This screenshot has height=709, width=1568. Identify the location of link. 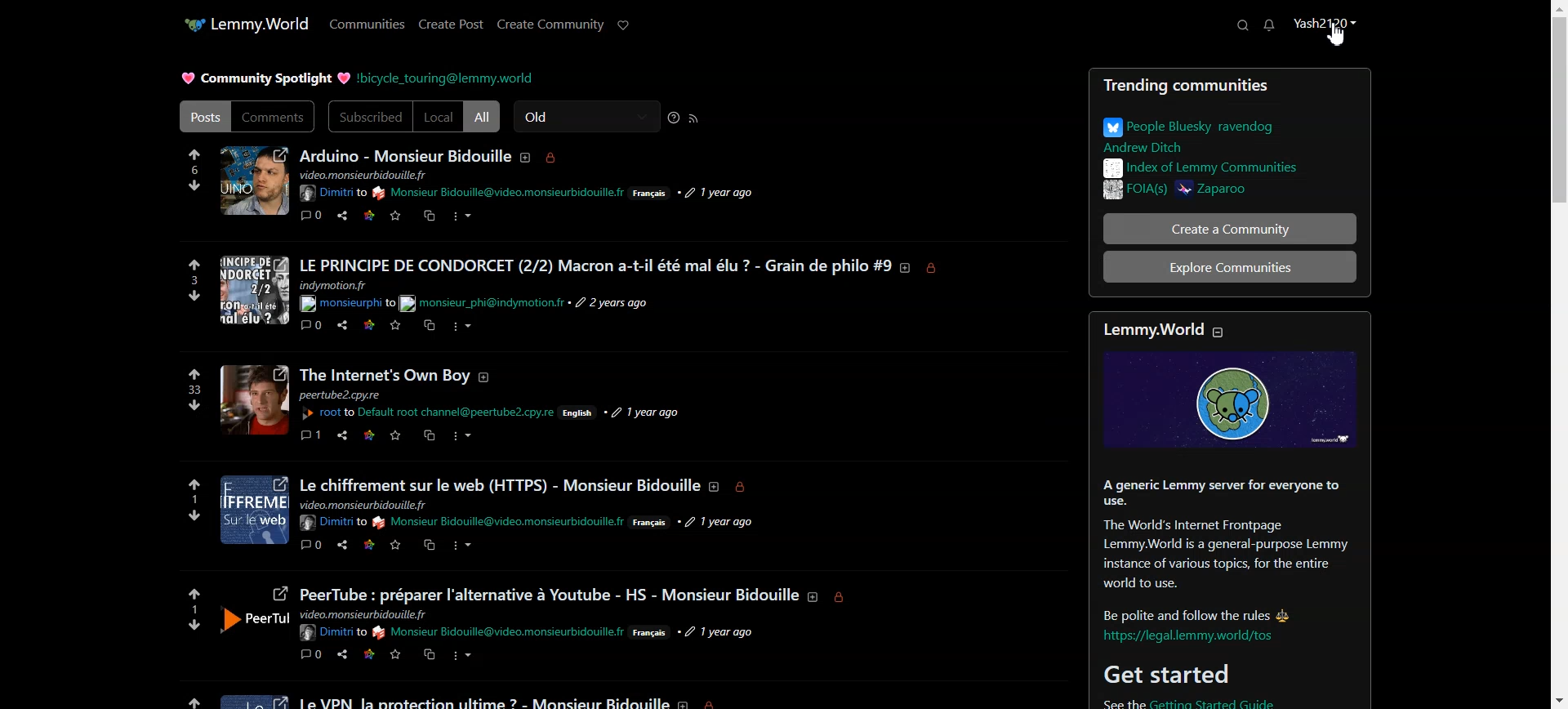
(371, 546).